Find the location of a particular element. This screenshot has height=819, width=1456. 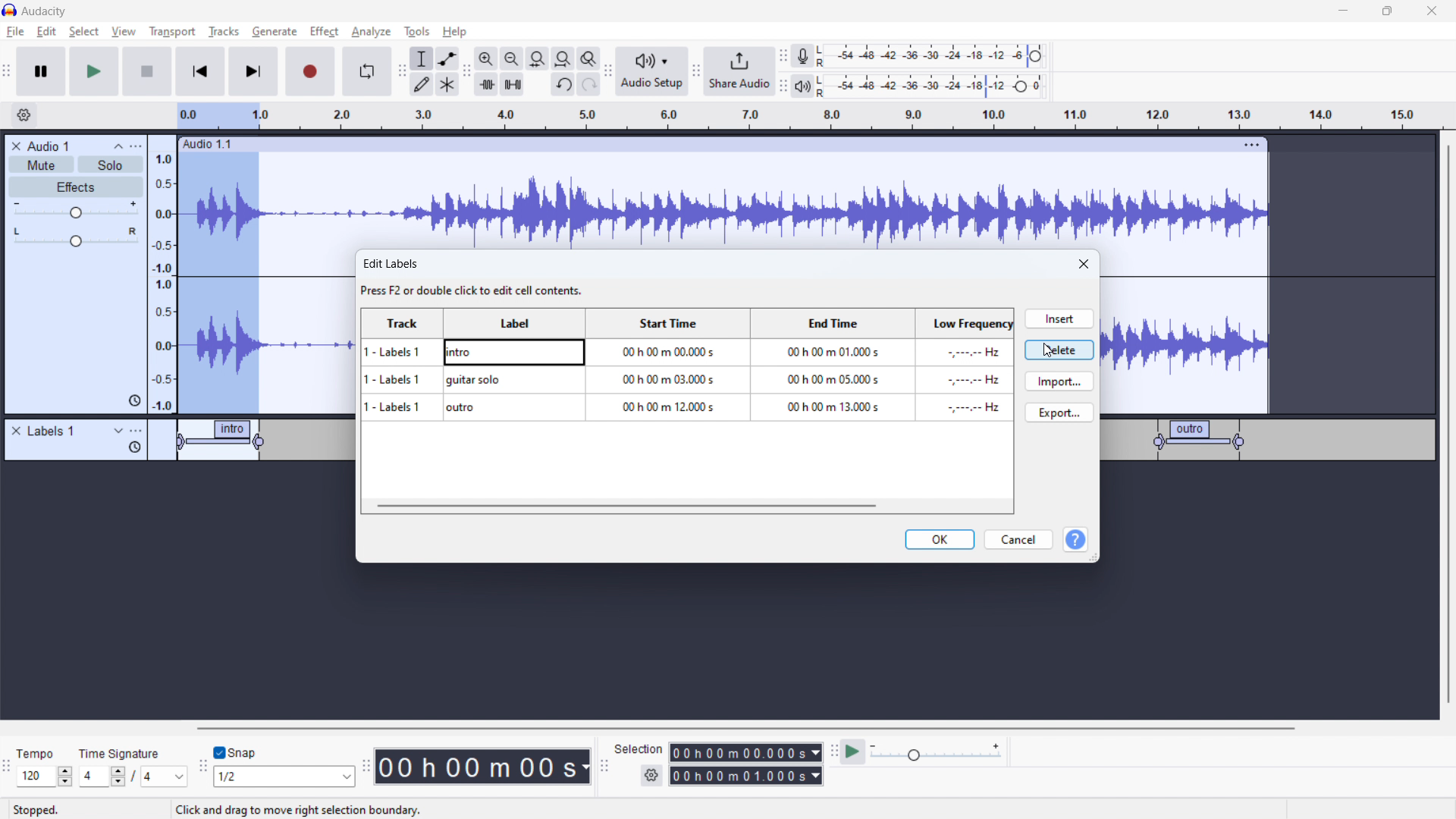

stop is located at coordinates (147, 71).